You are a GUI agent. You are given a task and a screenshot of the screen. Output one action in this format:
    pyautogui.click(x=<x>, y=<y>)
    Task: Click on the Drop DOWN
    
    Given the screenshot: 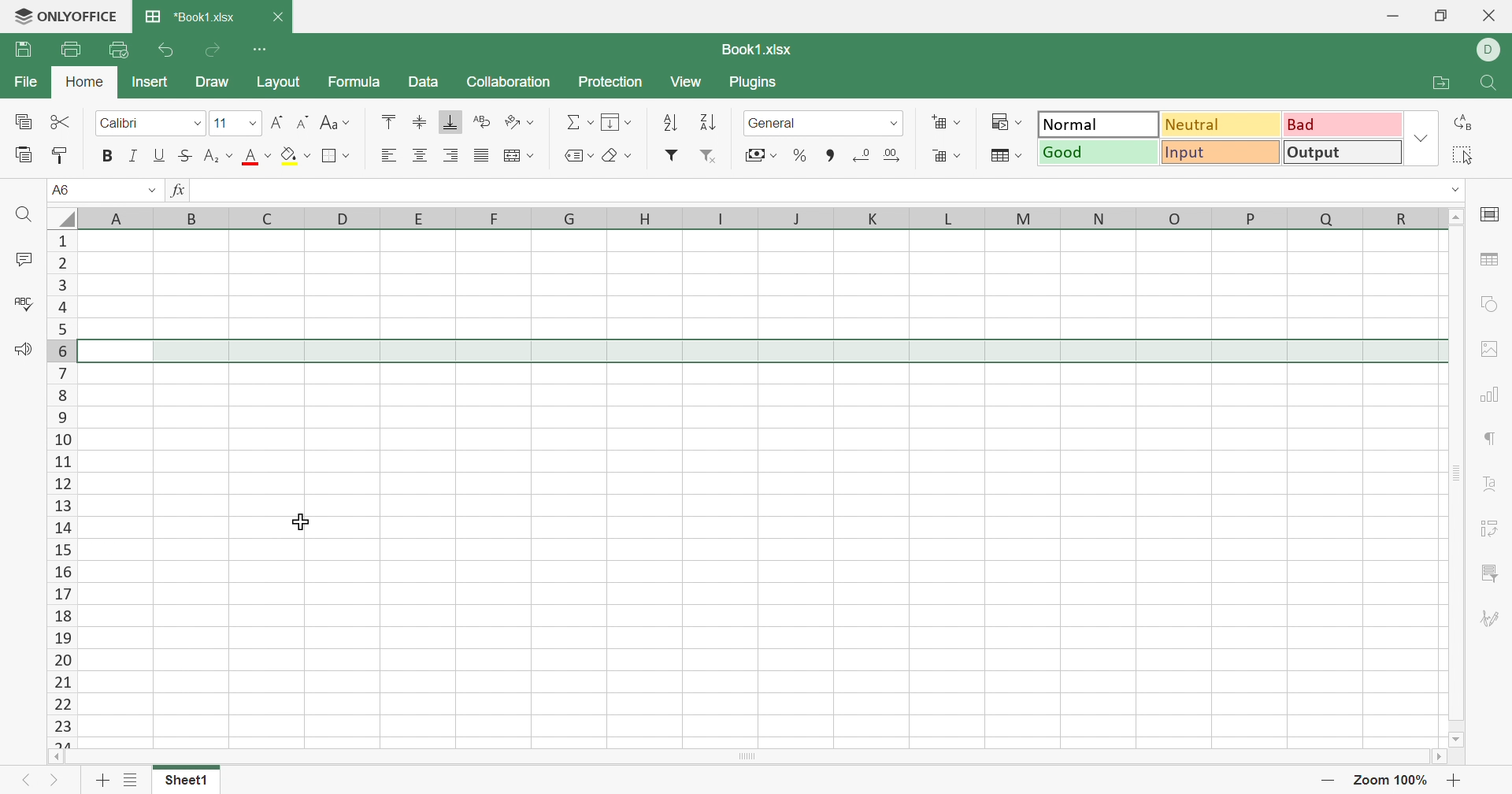 What is the action you would take?
    pyautogui.click(x=892, y=126)
    